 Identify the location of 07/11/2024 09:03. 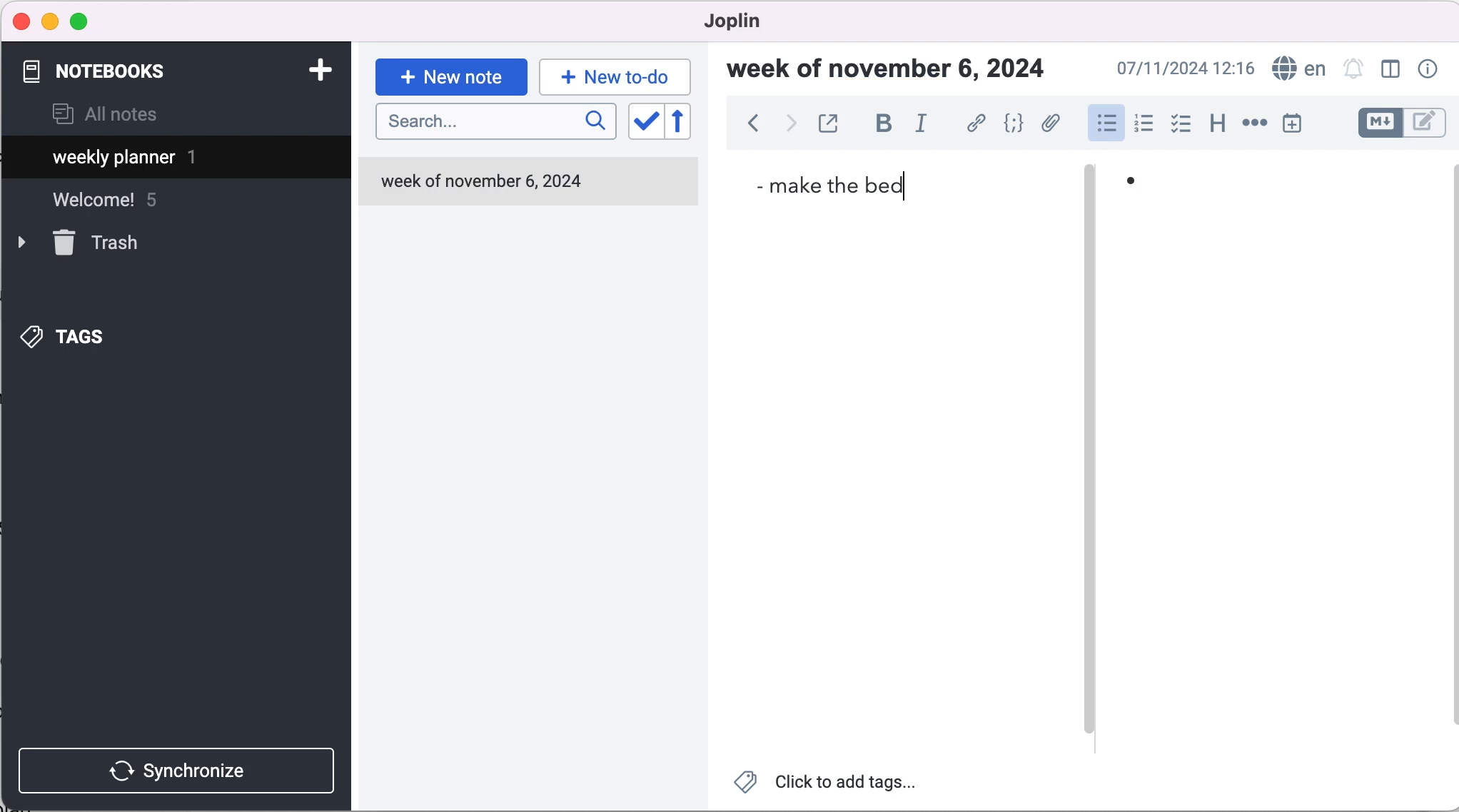
(1183, 68).